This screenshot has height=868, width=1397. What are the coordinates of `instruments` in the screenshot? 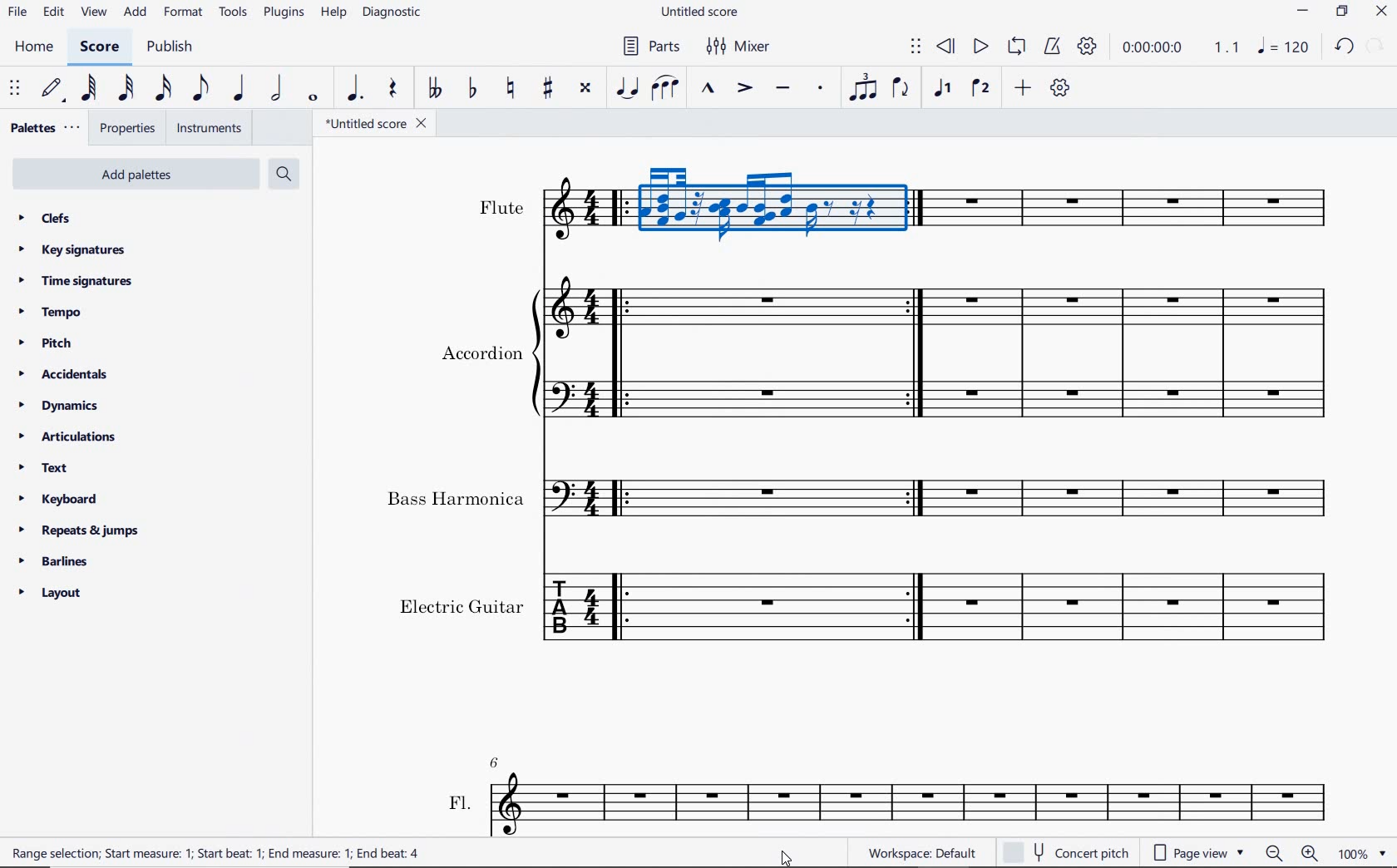 It's located at (207, 127).